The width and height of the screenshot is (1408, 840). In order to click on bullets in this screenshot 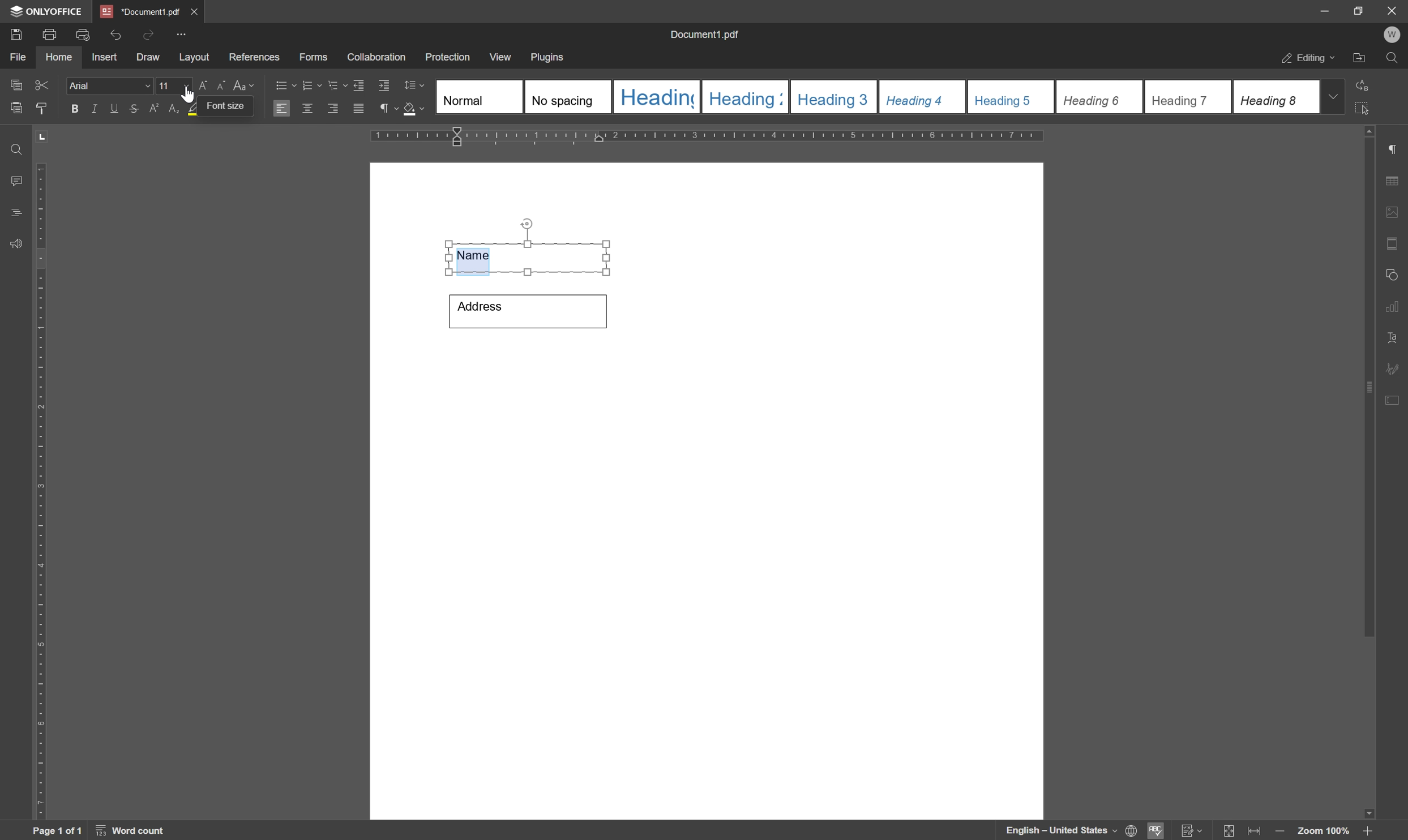, I will do `click(284, 84)`.